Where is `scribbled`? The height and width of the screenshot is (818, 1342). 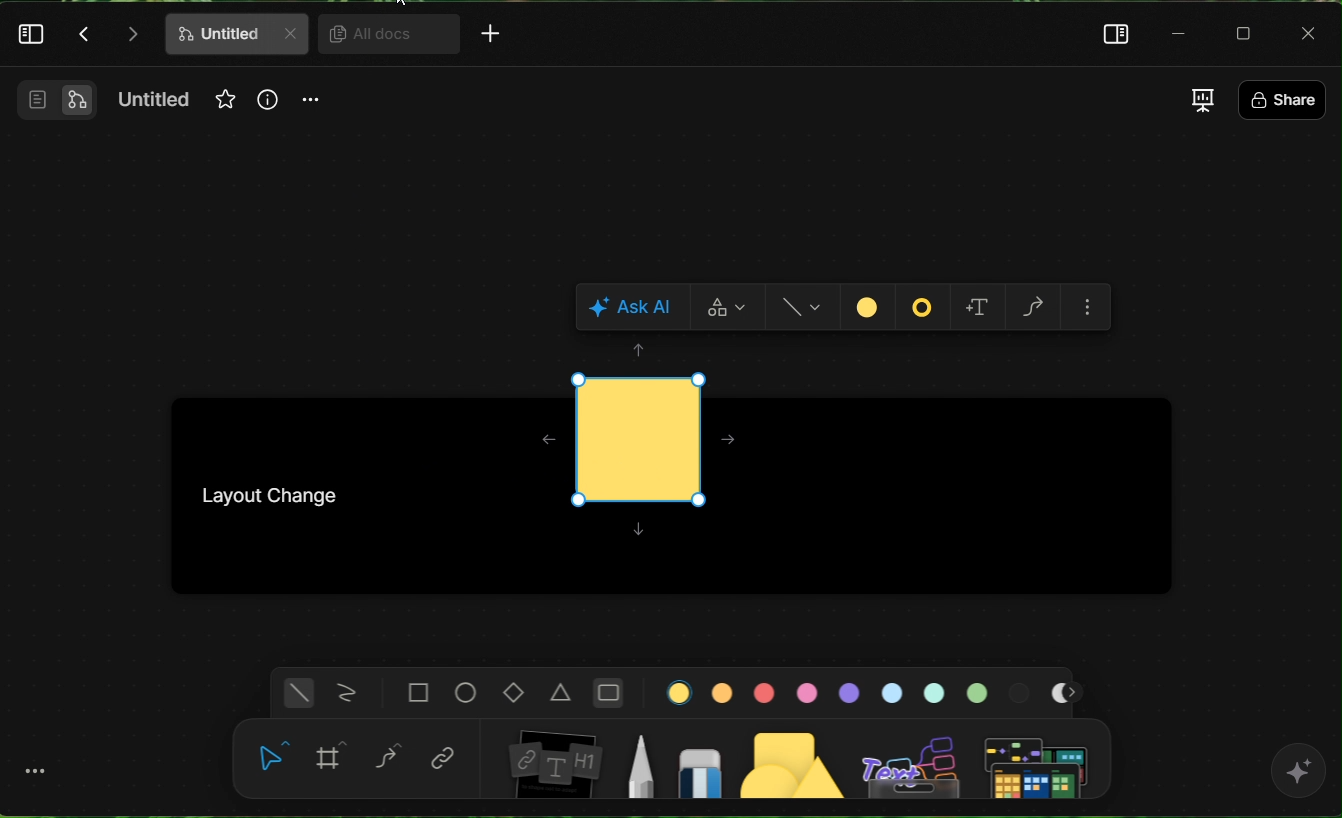 scribbled is located at coordinates (344, 692).